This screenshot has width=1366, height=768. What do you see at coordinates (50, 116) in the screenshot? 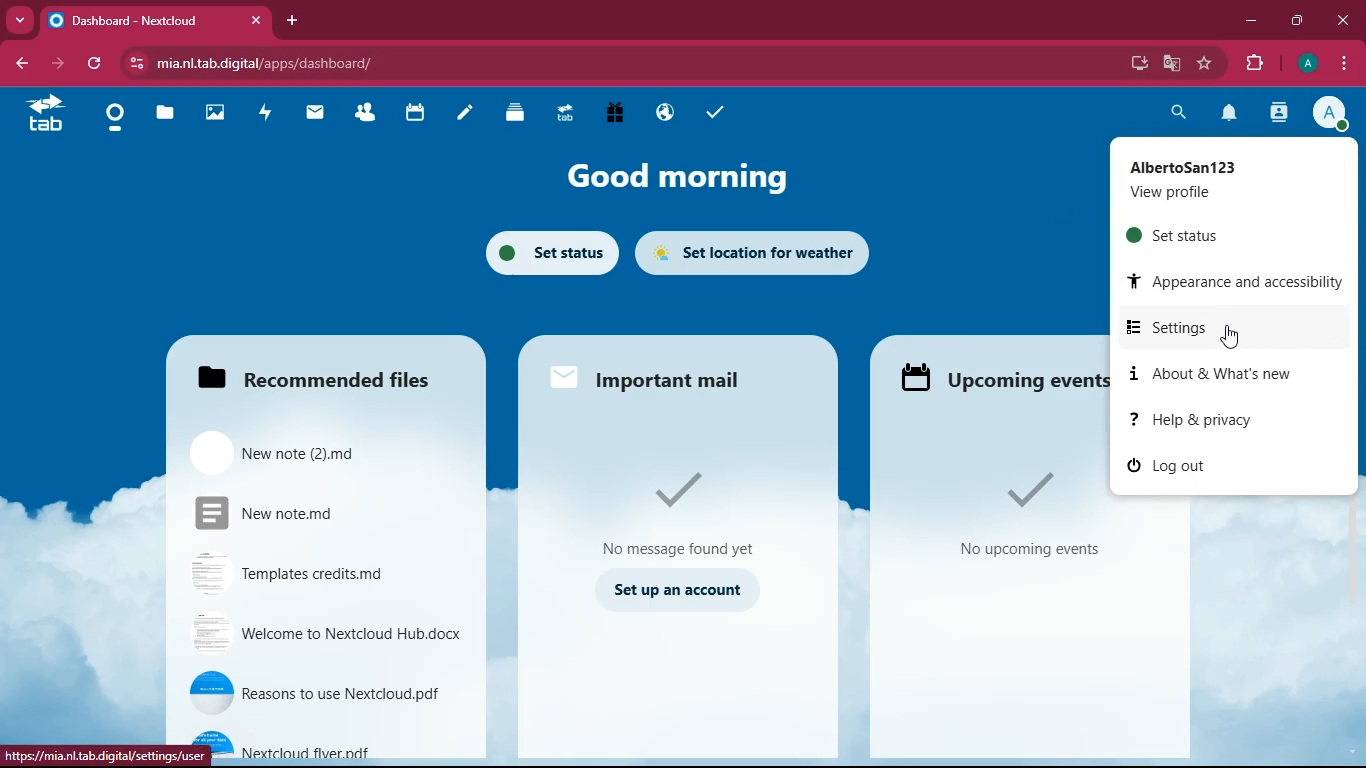
I see `tab` at bounding box center [50, 116].